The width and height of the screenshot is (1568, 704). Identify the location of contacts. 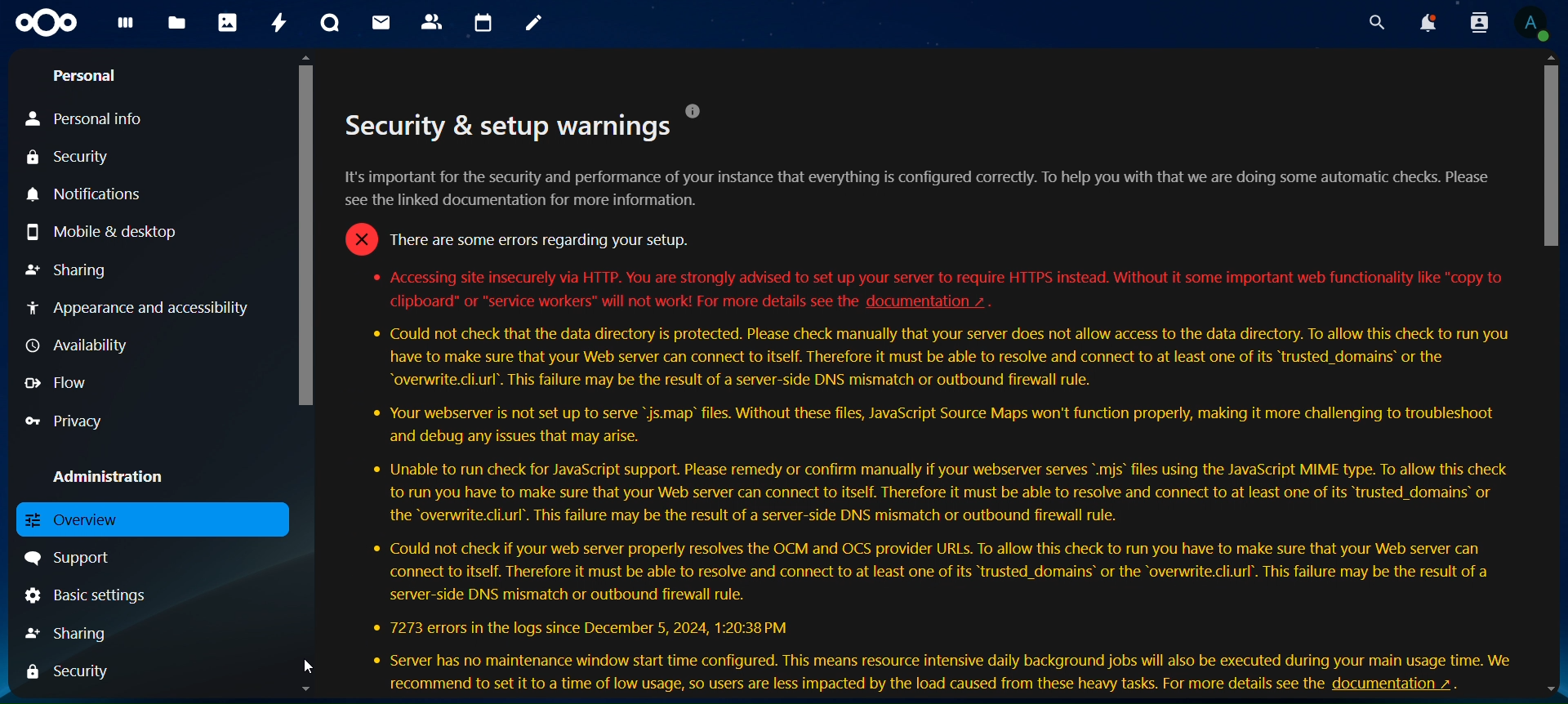
(433, 21).